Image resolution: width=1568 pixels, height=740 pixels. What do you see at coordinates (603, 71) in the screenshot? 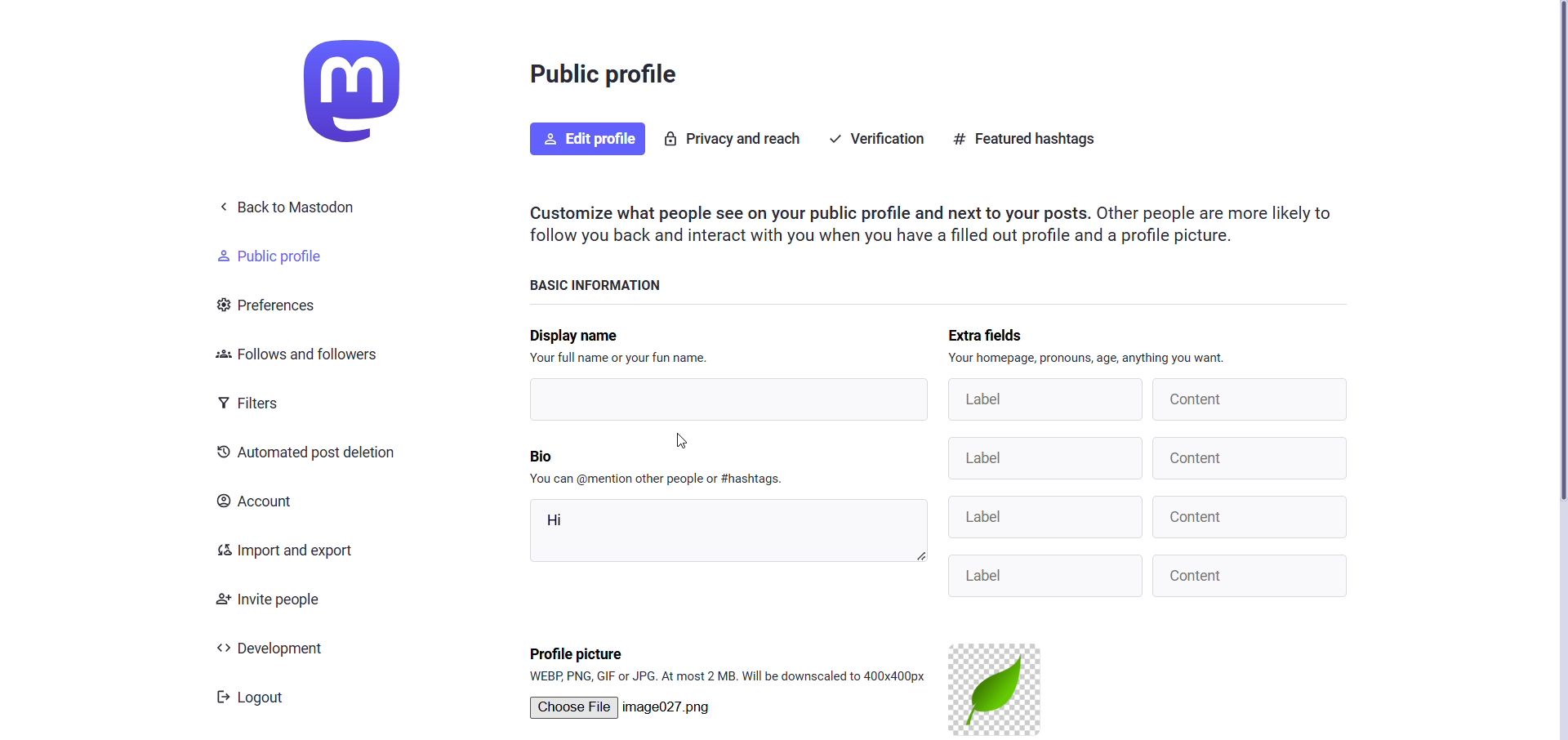
I see `public profile` at bounding box center [603, 71].